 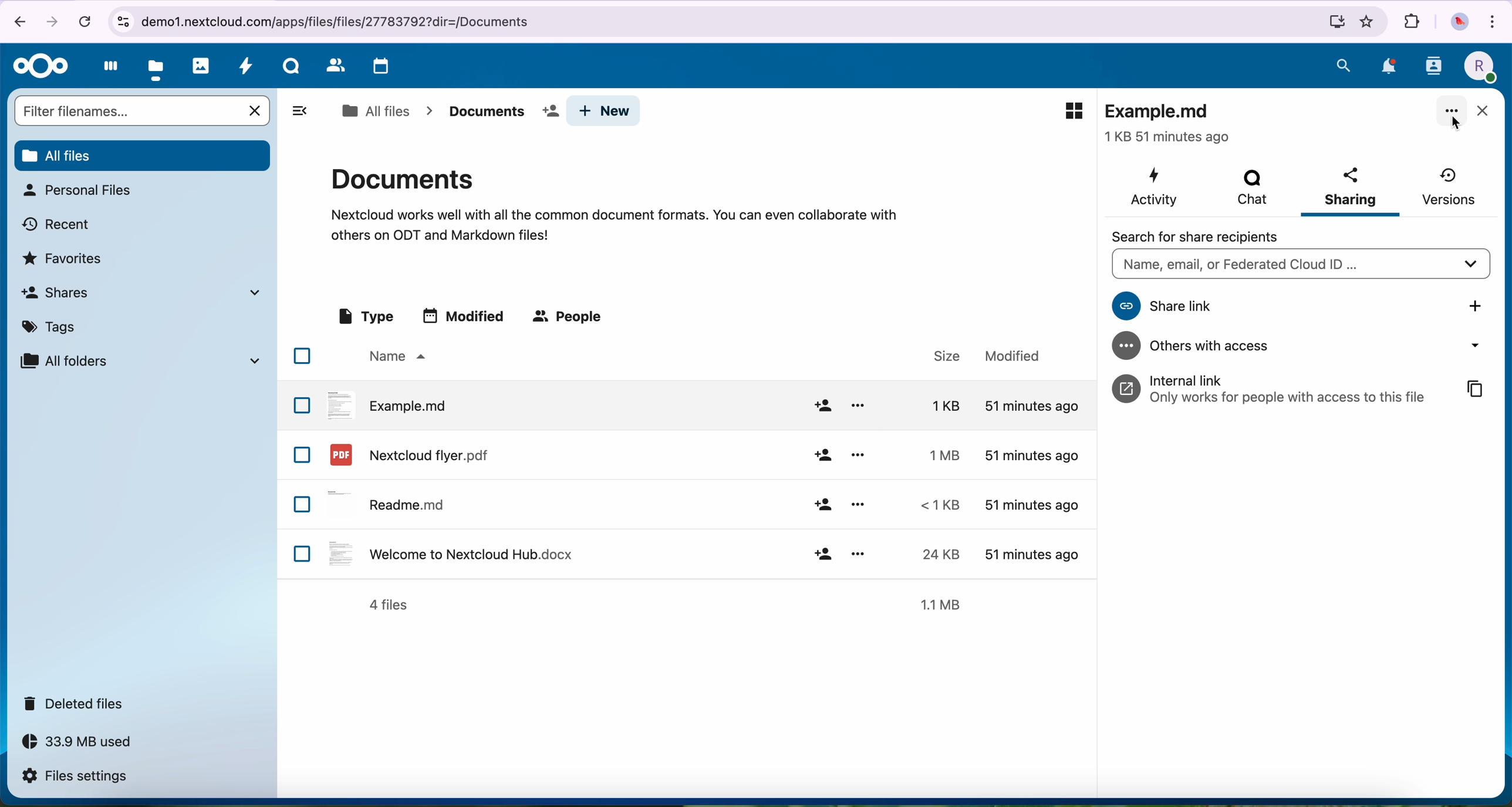 What do you see at coordinates (141, 154) in the screenshot?
I see `all files button` at bounding box center [141, 154].